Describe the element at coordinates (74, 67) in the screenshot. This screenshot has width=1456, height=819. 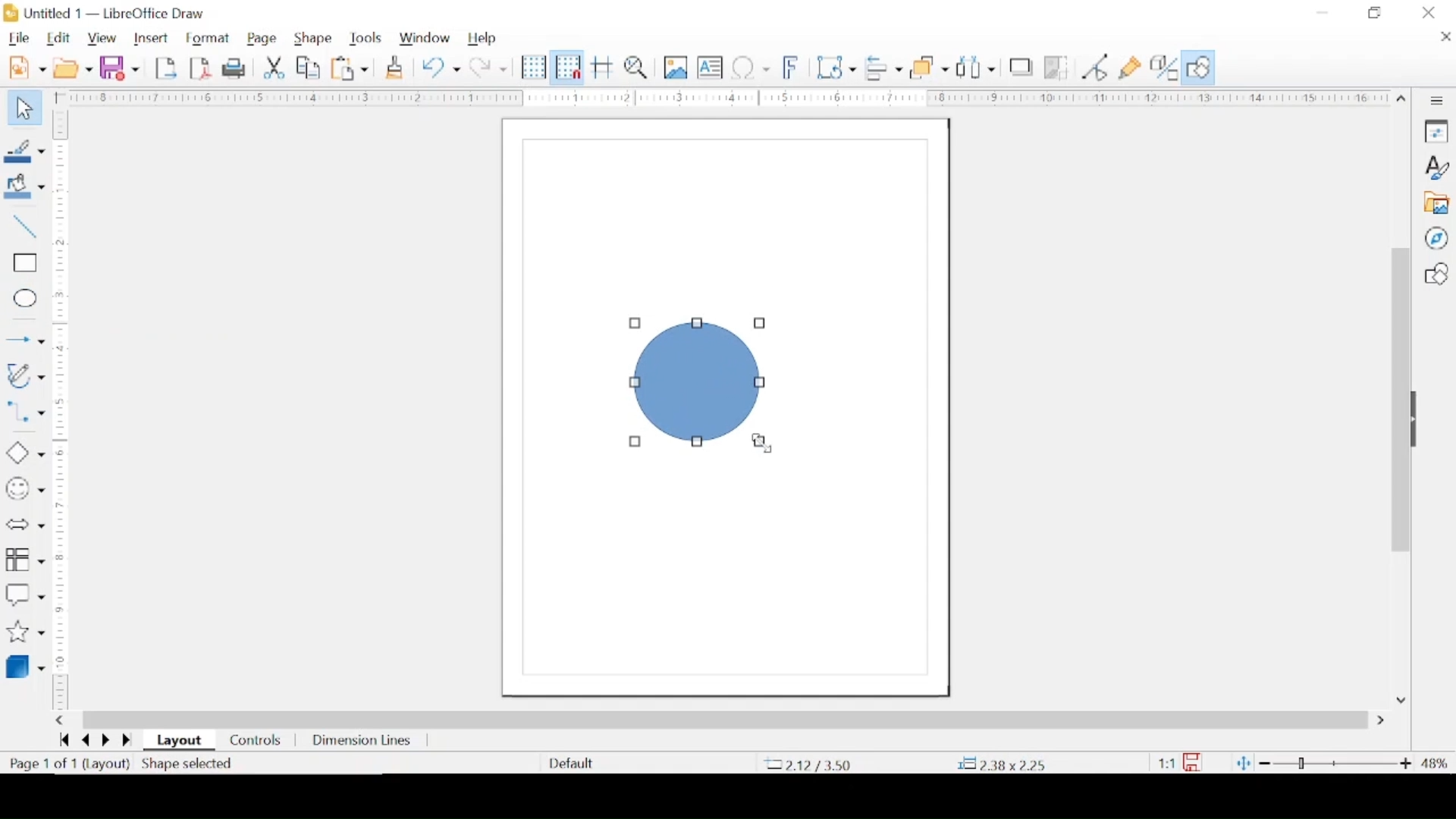
I see `open` at that location.